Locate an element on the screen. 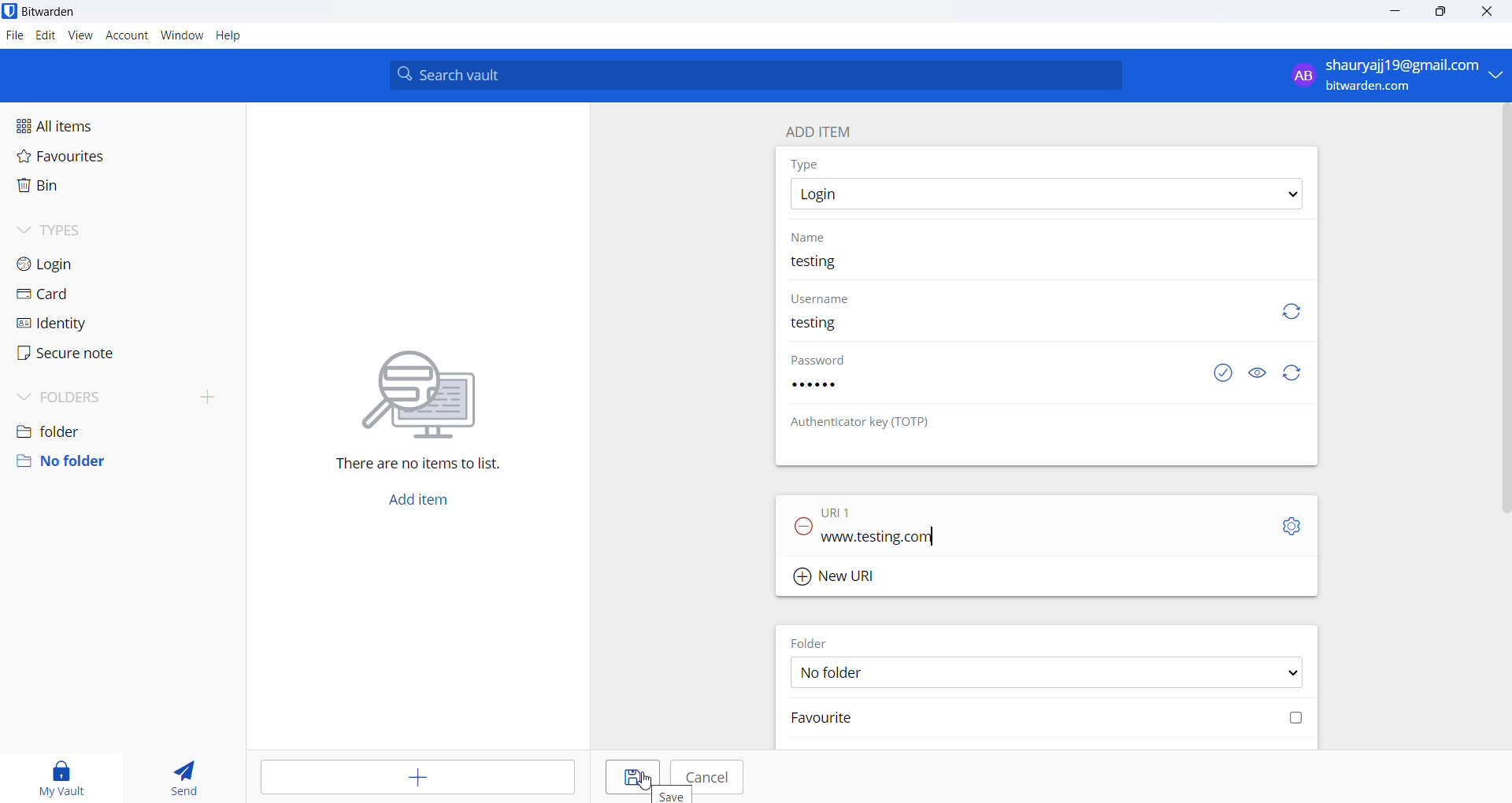 This screenshot has width=1512, height=803. send is located at coordinates (186, 775).